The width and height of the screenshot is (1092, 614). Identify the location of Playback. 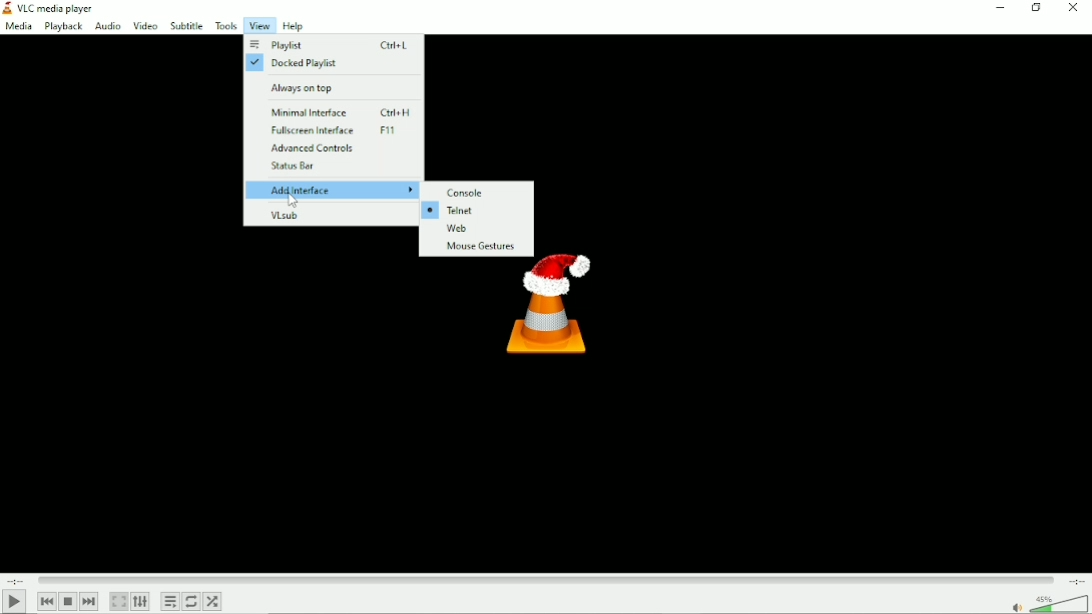
(61, 27).